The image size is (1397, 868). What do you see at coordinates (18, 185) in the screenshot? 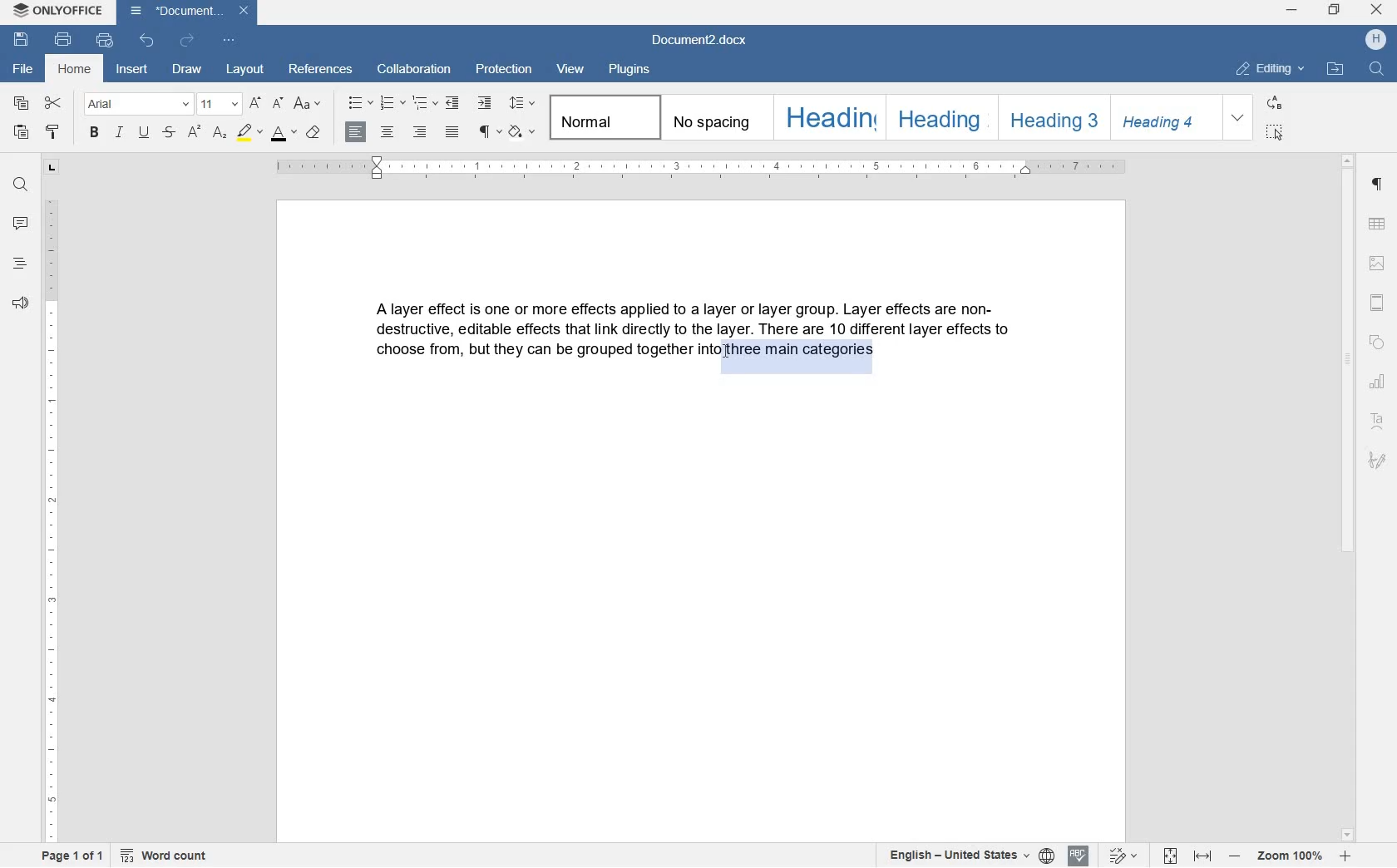
I see `find` at bounding box center [18, 185].